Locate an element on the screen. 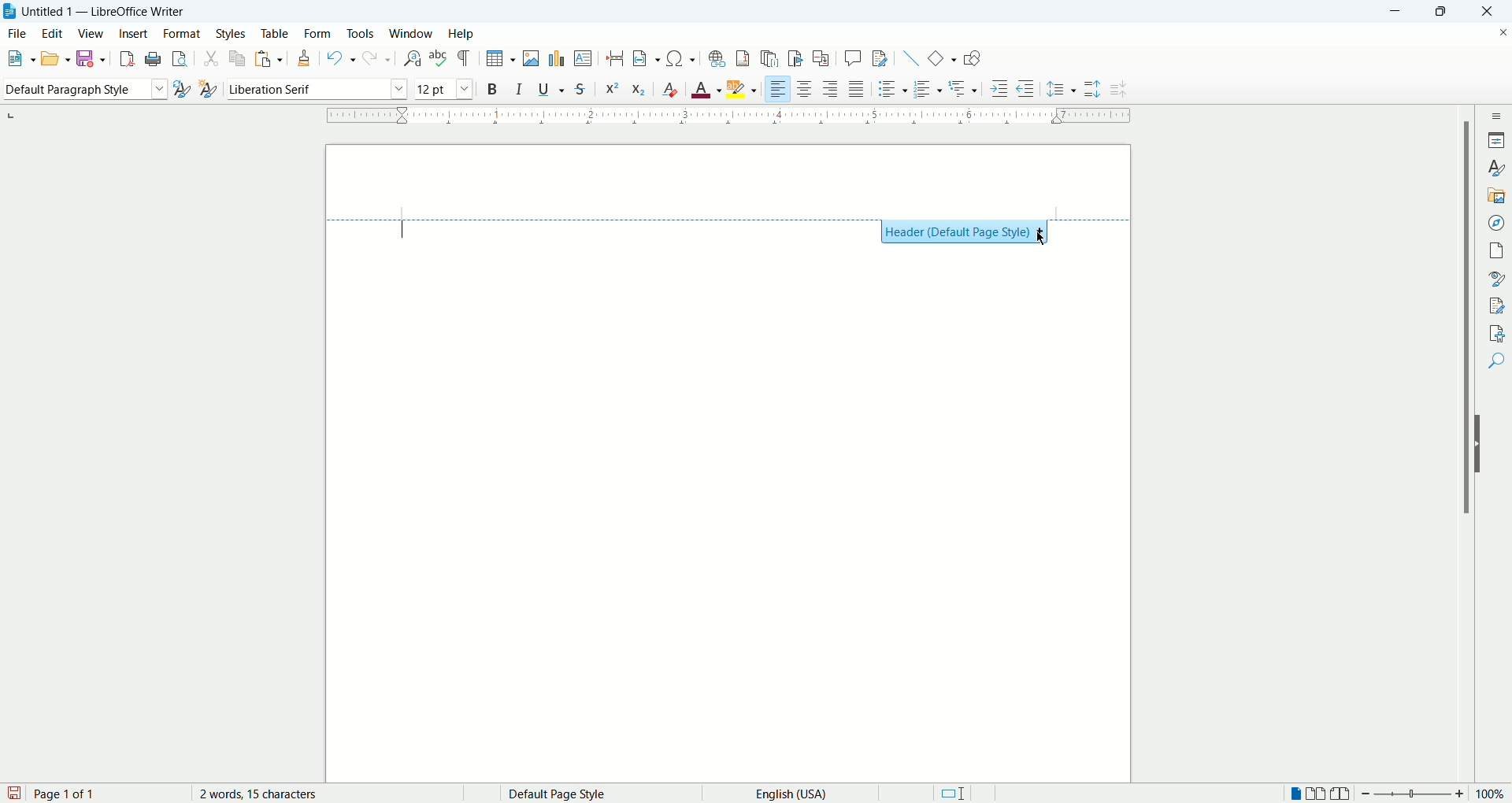  save is located at coordinates (15, 791).